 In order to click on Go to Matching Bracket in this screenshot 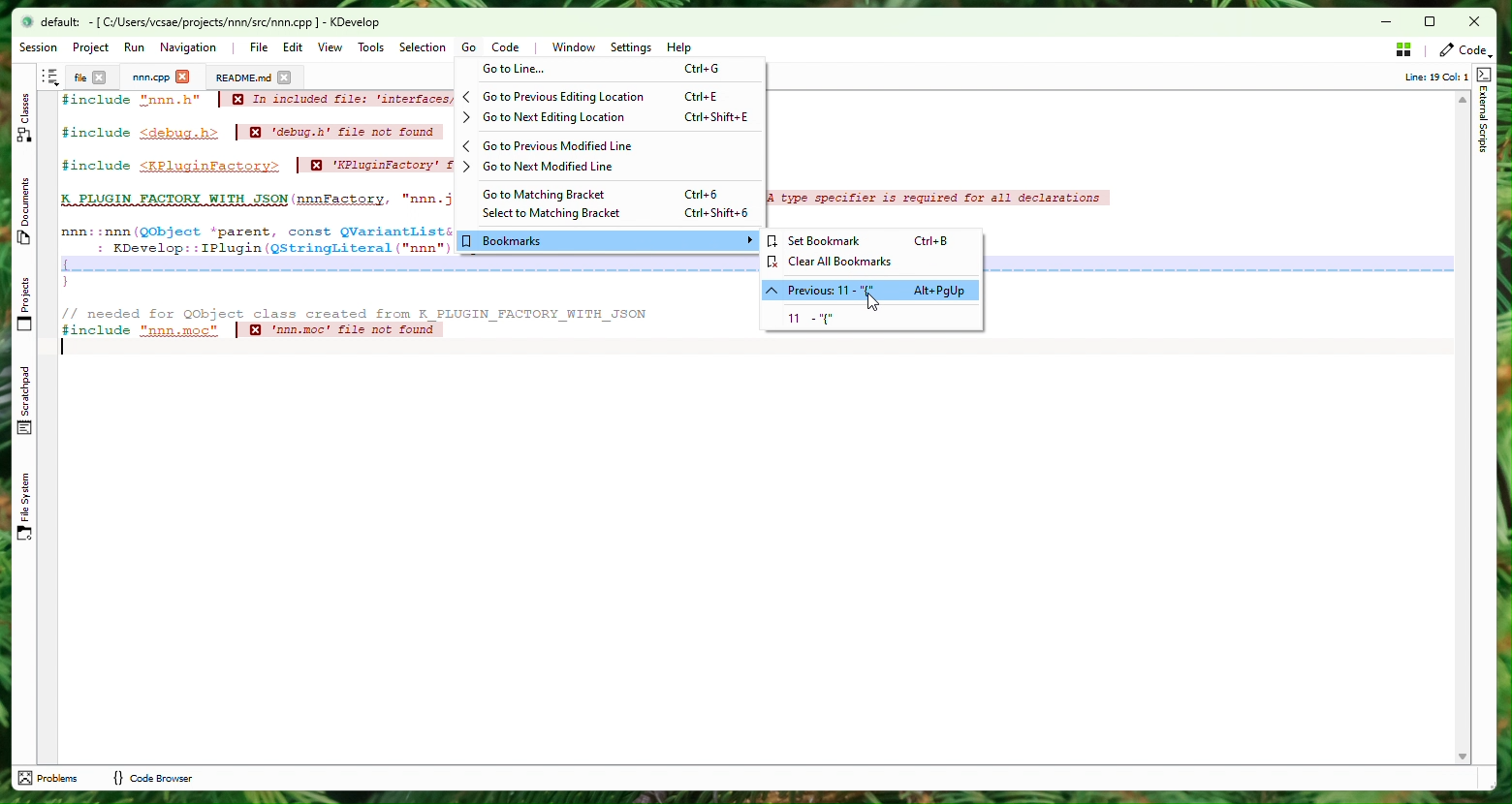, I will do `click(615, 194)`.